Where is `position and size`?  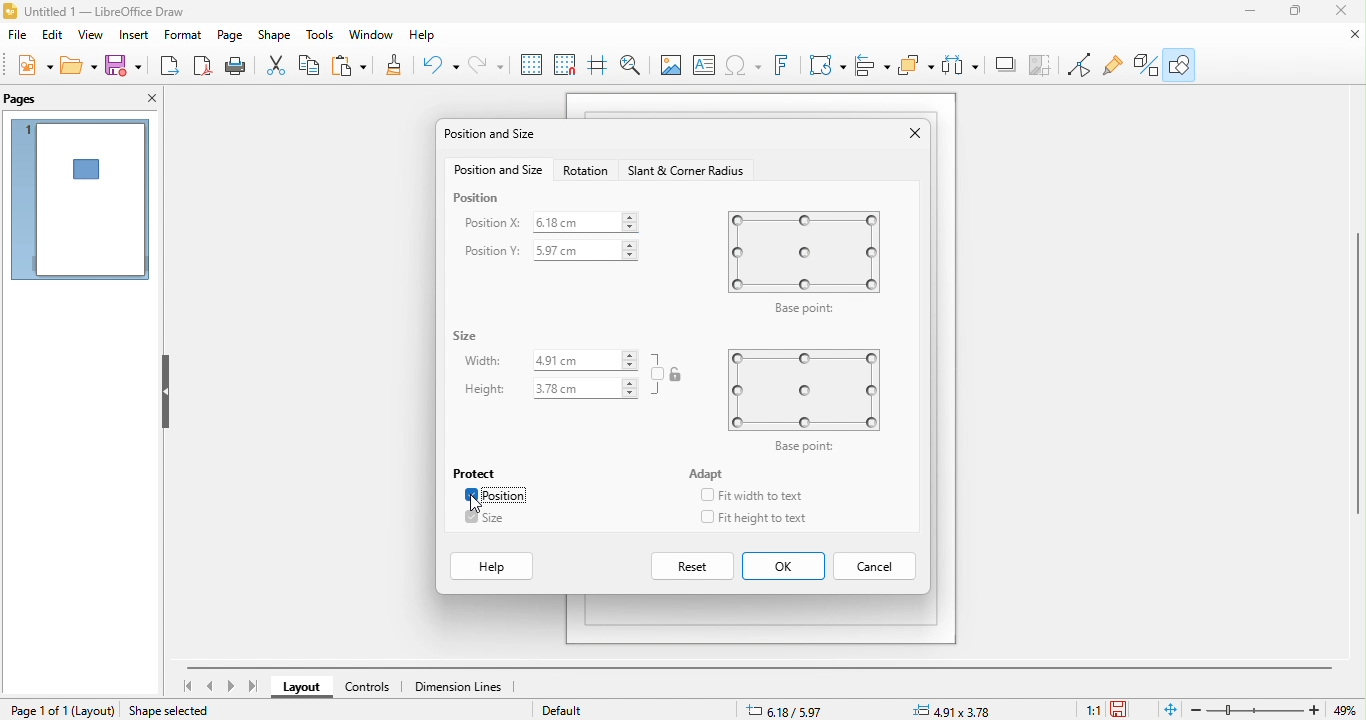
position and size is located at coordinates (496, 171).